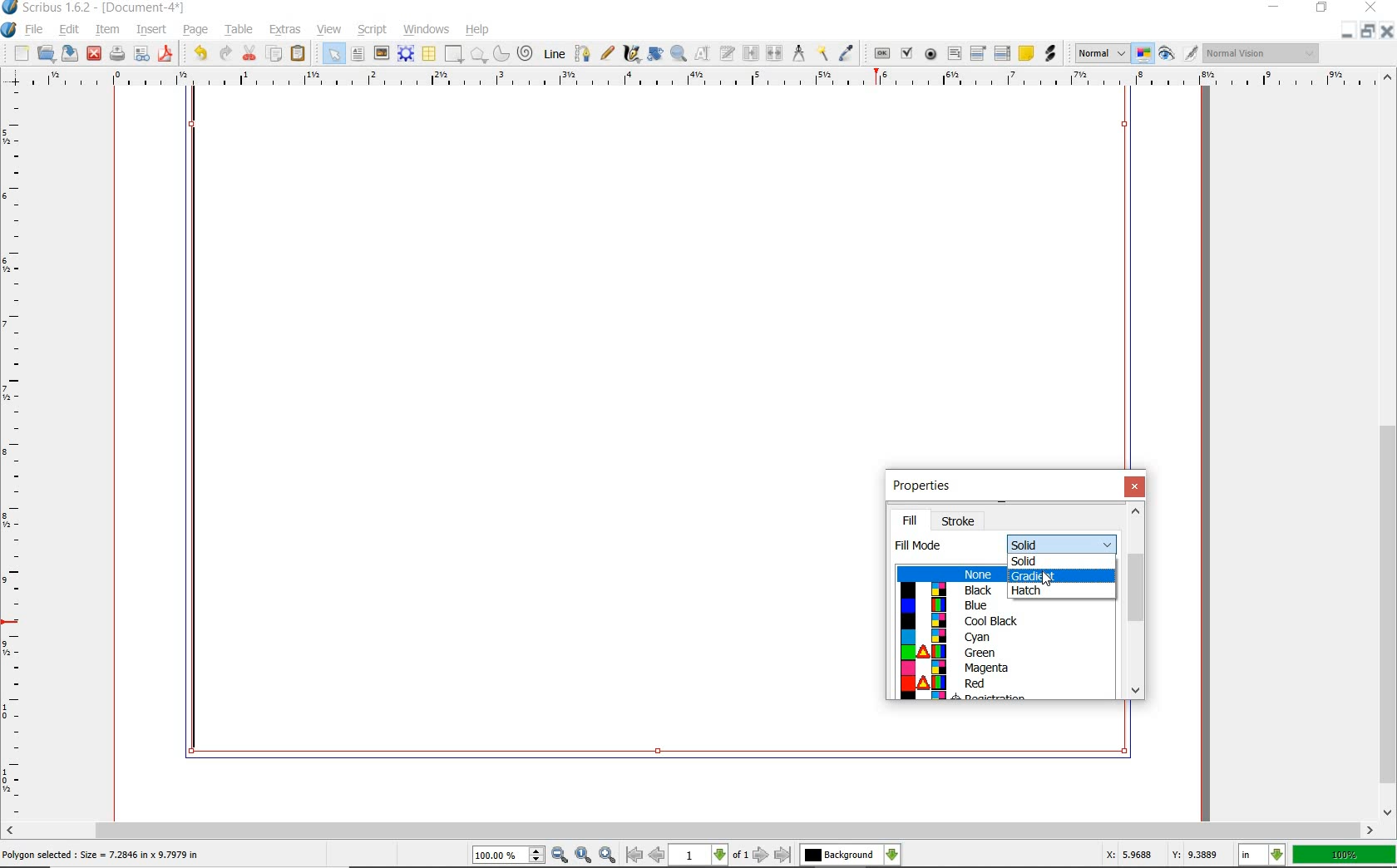 The width and height of the screenshot is (1397, 868). Describe the element at coordinates (15, 457) in the screenshot. I see `ruler` at that location.